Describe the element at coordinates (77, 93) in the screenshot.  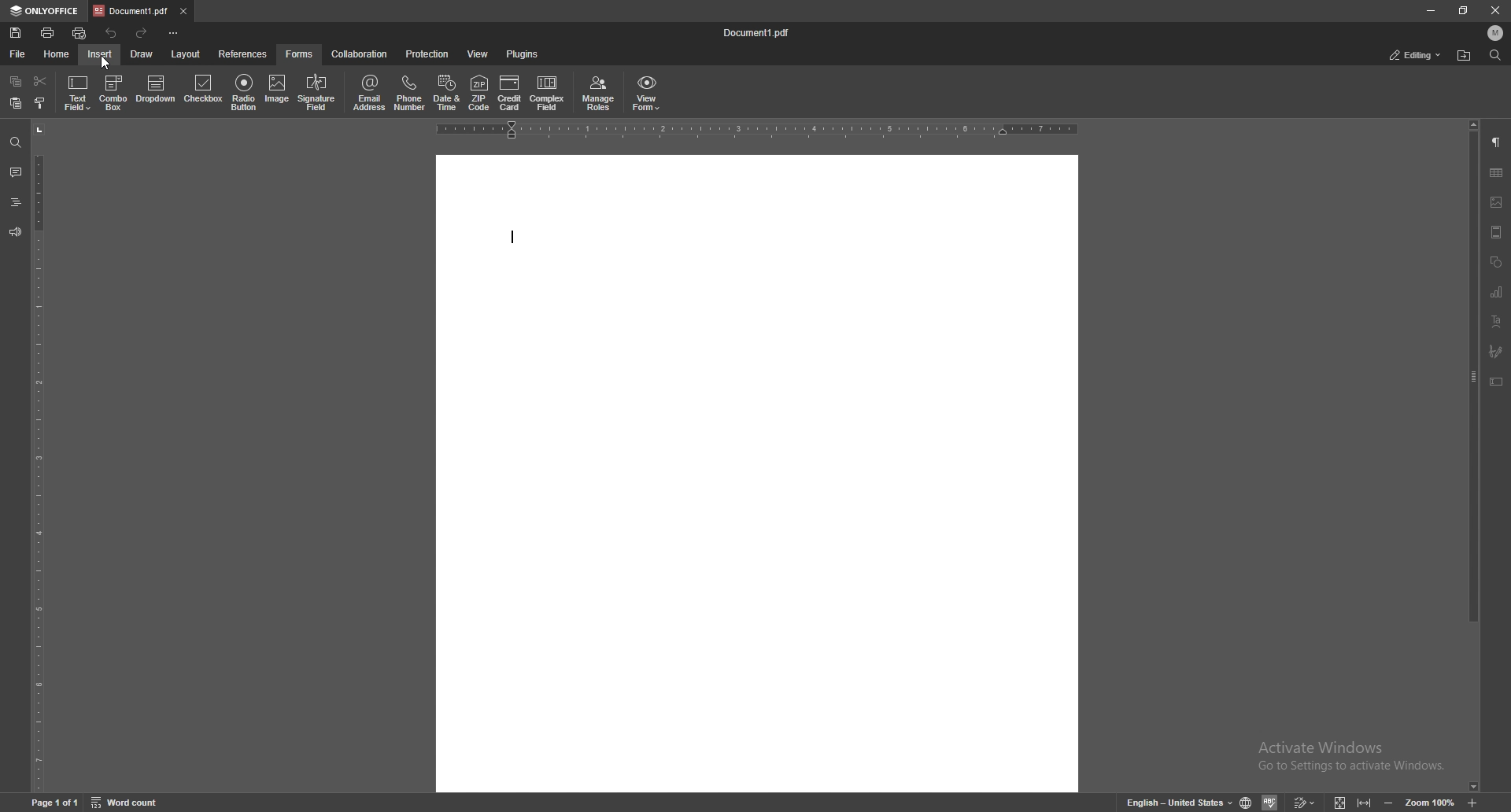
I see `text field` at that location.